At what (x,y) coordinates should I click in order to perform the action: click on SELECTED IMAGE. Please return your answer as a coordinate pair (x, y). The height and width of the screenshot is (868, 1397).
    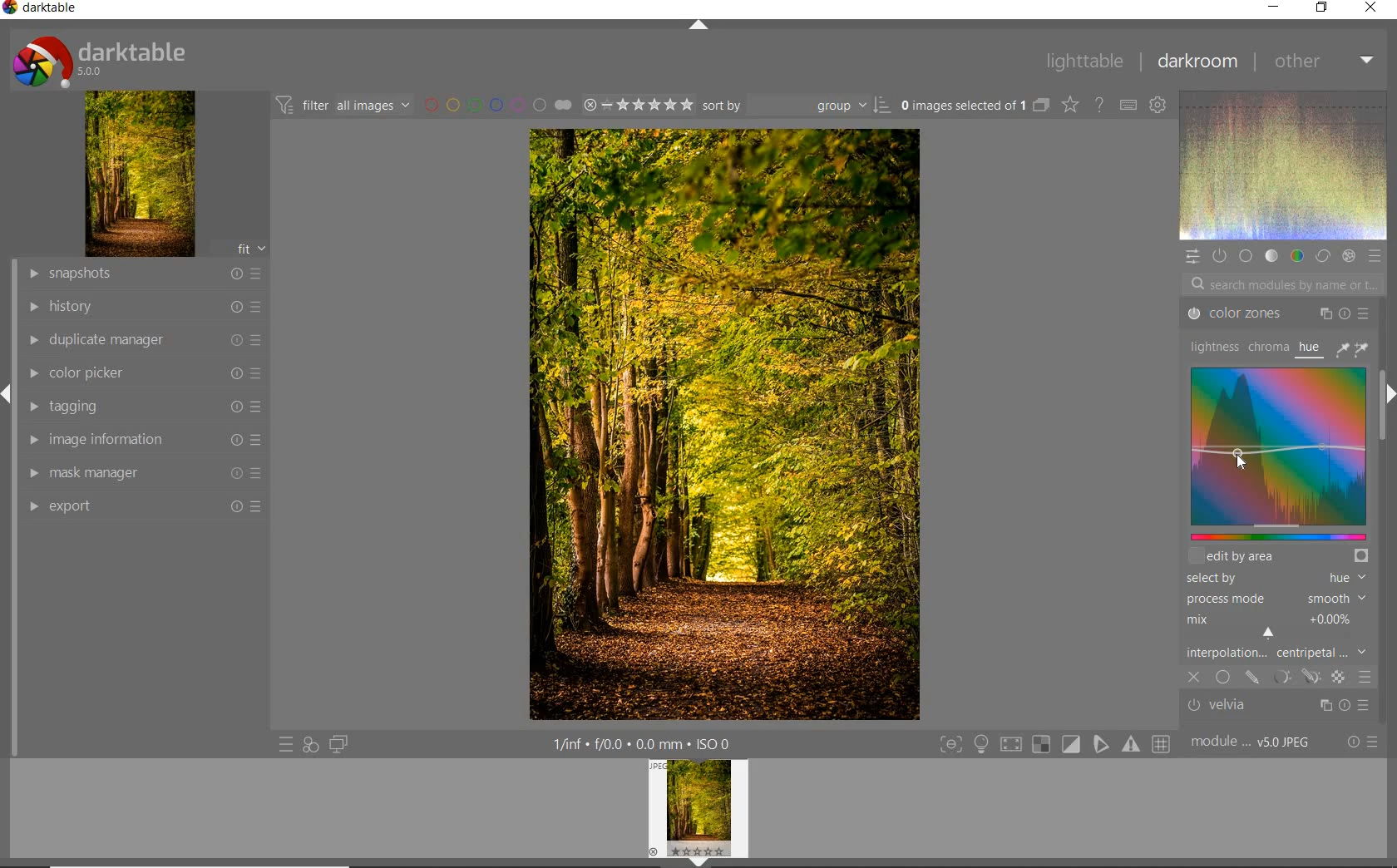
    Looking at the image, I should click on (725, 423).